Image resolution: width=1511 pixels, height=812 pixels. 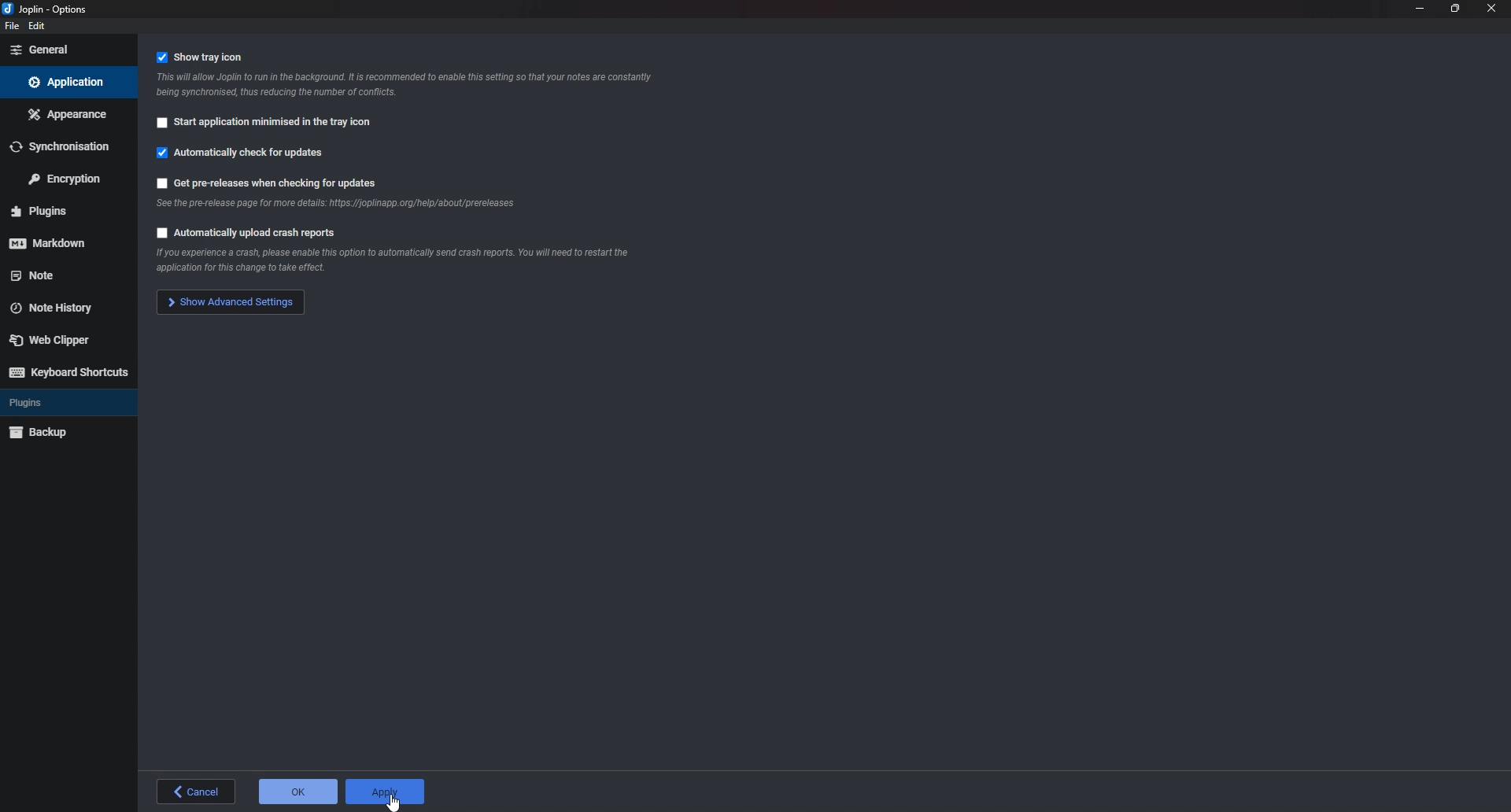 What do you see at coordinates (386, 792) in the screenshot?
I see `apply` at bounding box center [386, 792].